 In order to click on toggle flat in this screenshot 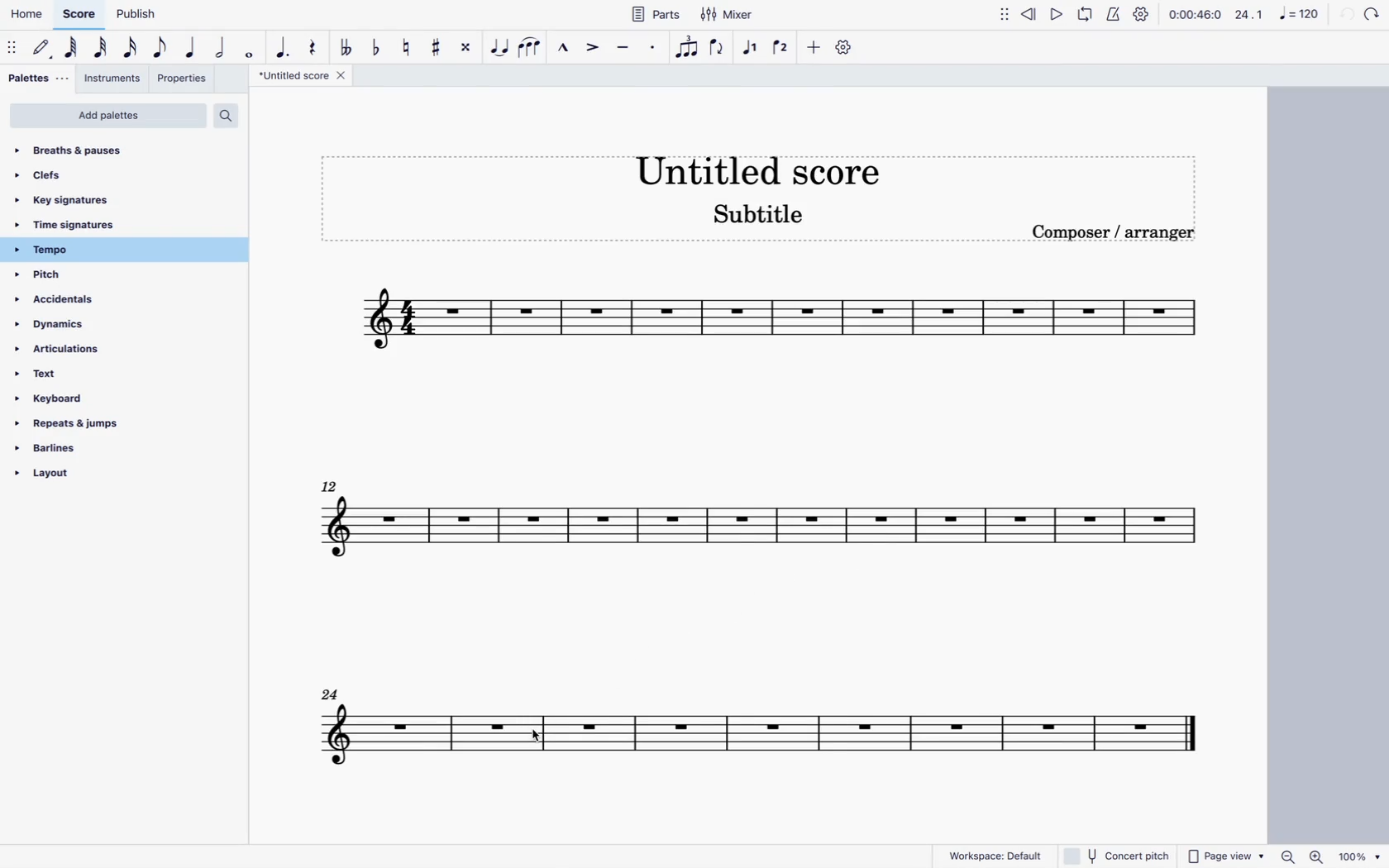, I will do `click(346, 48)`.